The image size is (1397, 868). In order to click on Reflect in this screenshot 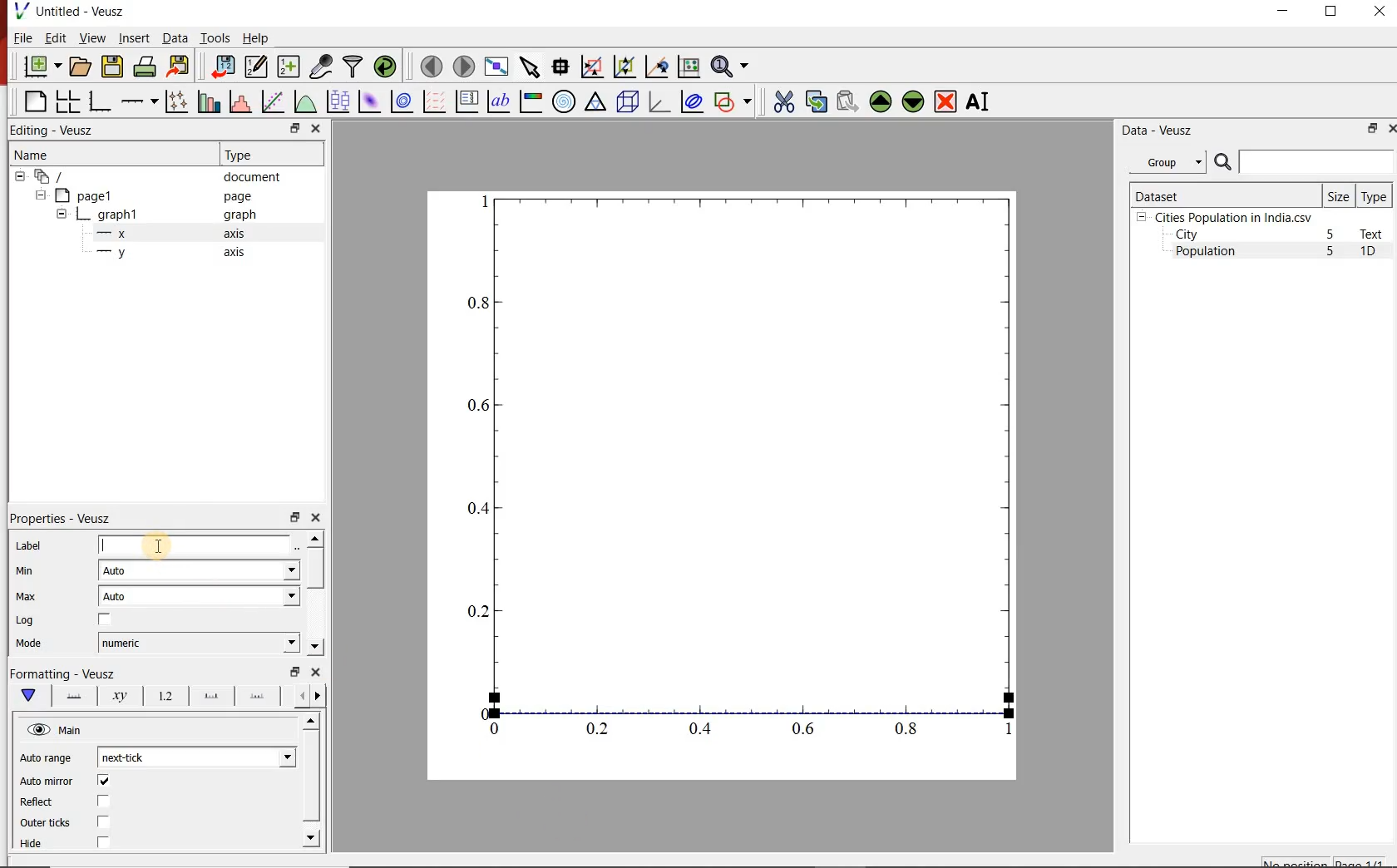, I will do `click(42, 801)`.